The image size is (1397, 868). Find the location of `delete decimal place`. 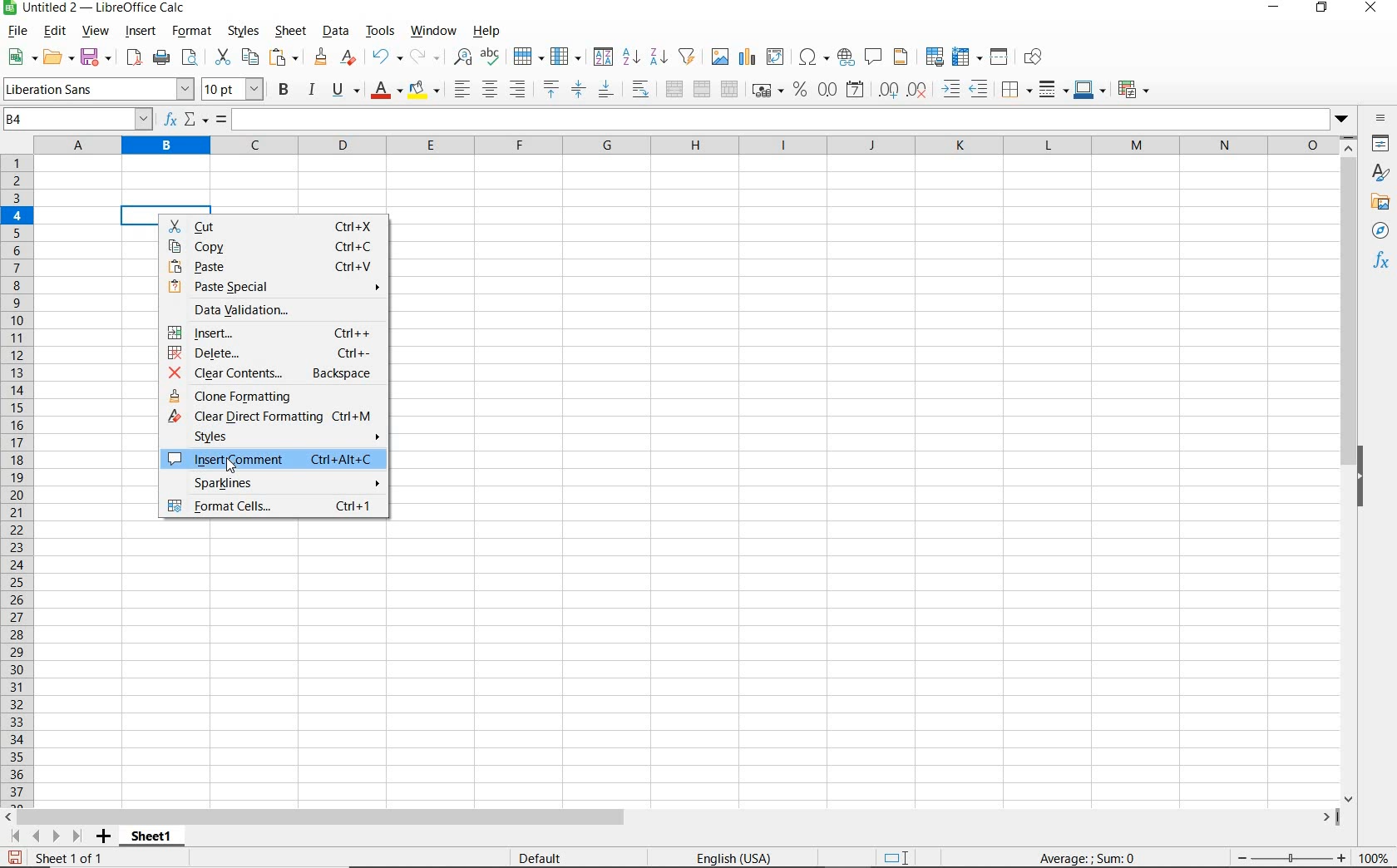

delete decimal place is located at coordinates (917, 89).